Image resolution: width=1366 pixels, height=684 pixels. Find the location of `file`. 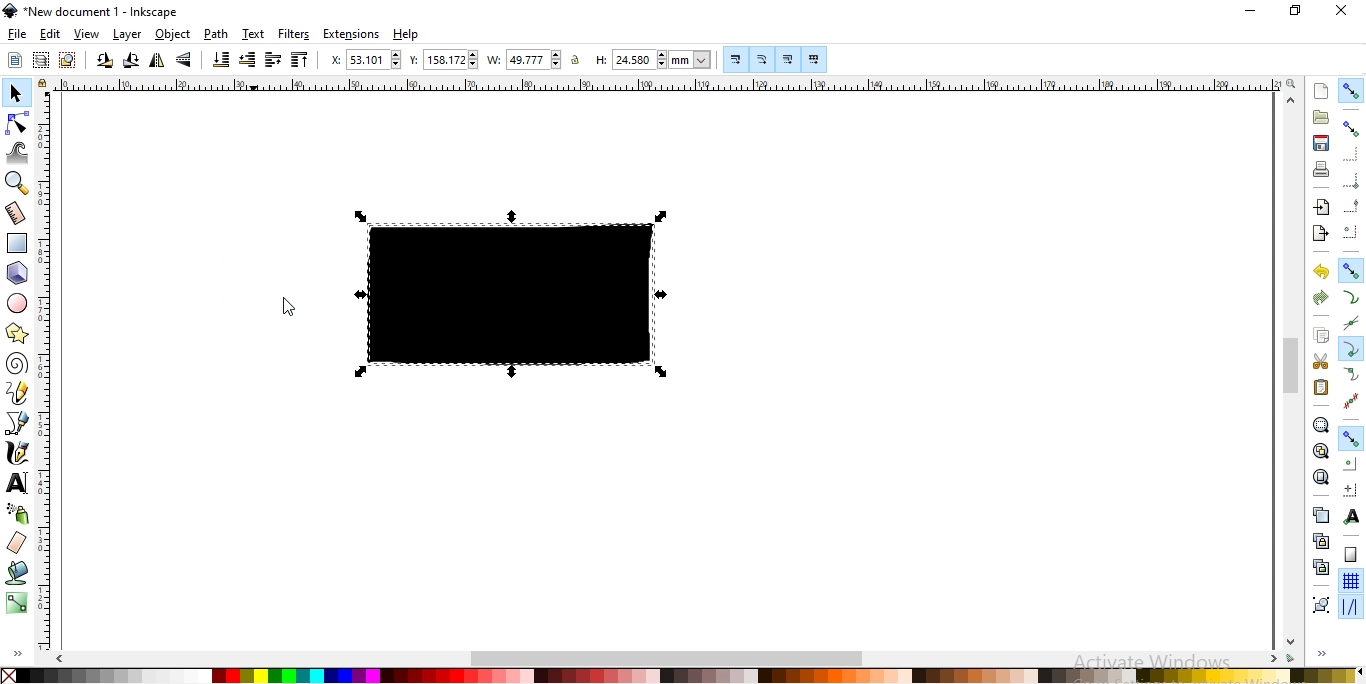

file is located at coordinates (15, 34).